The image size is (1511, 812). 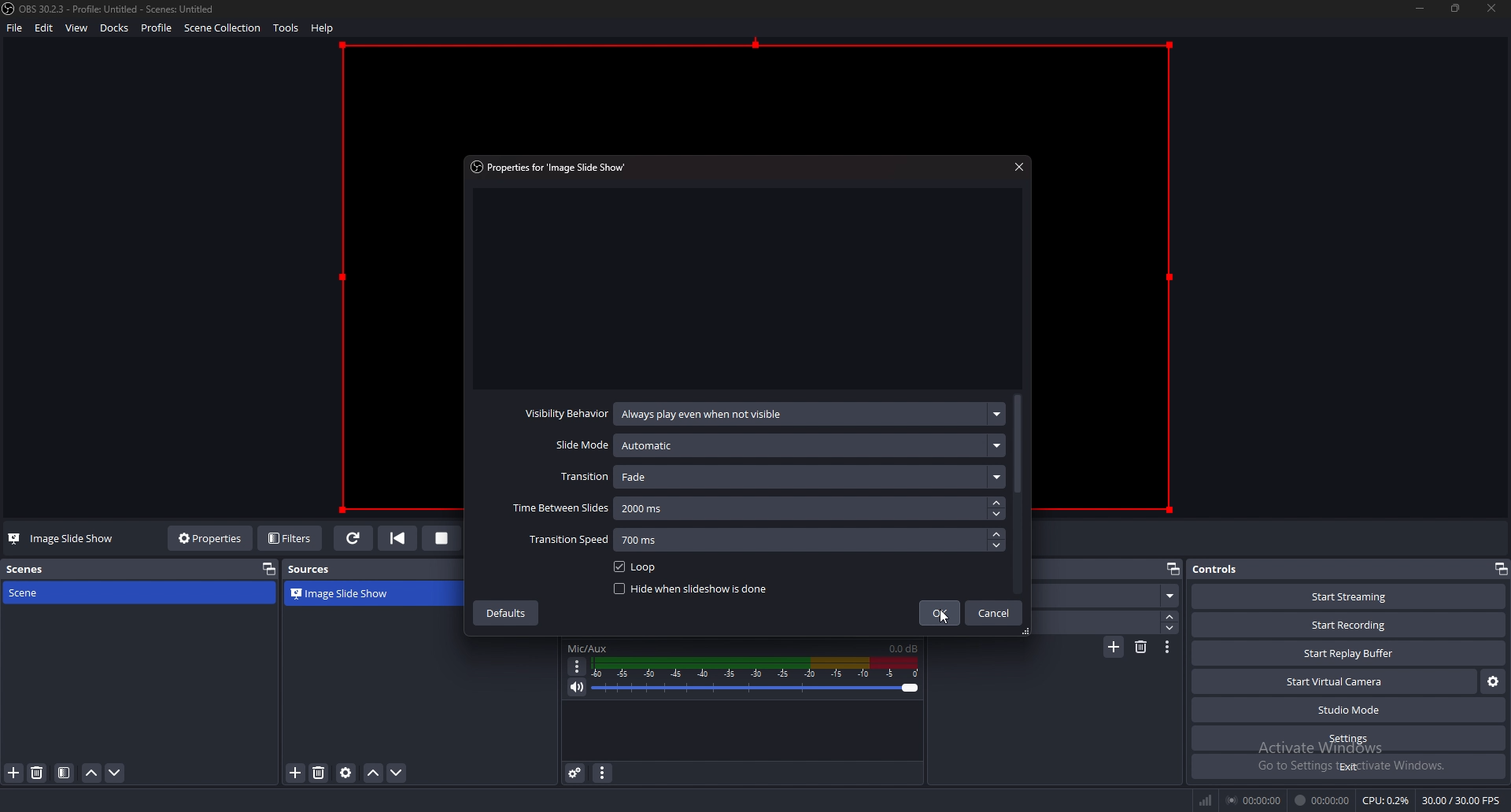 I want to click on remove scene, so click(x=38, y=773).